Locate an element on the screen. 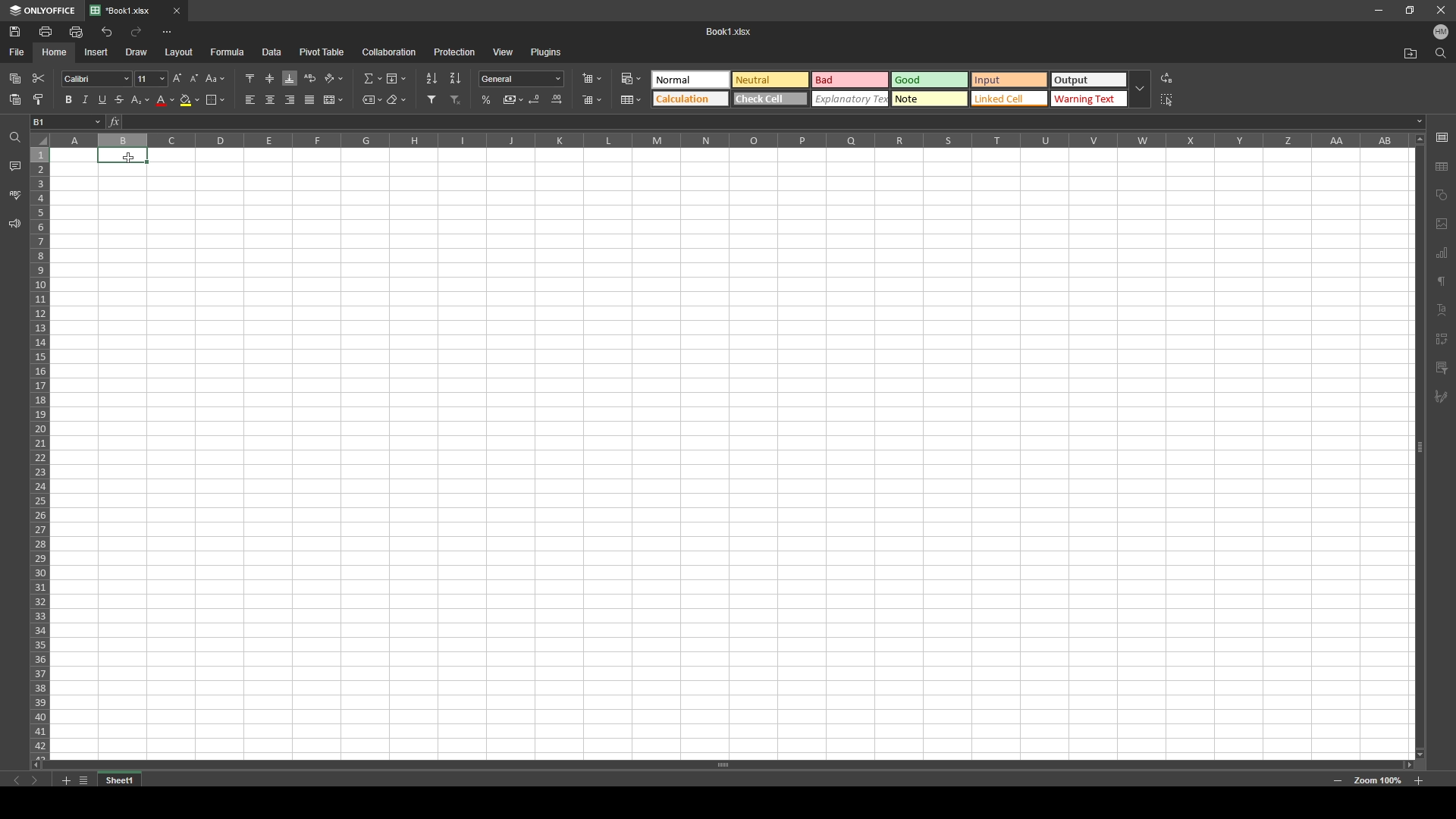 The width and height of the screenshot is (1456, 819). italic is located at coordinates (85, 101).